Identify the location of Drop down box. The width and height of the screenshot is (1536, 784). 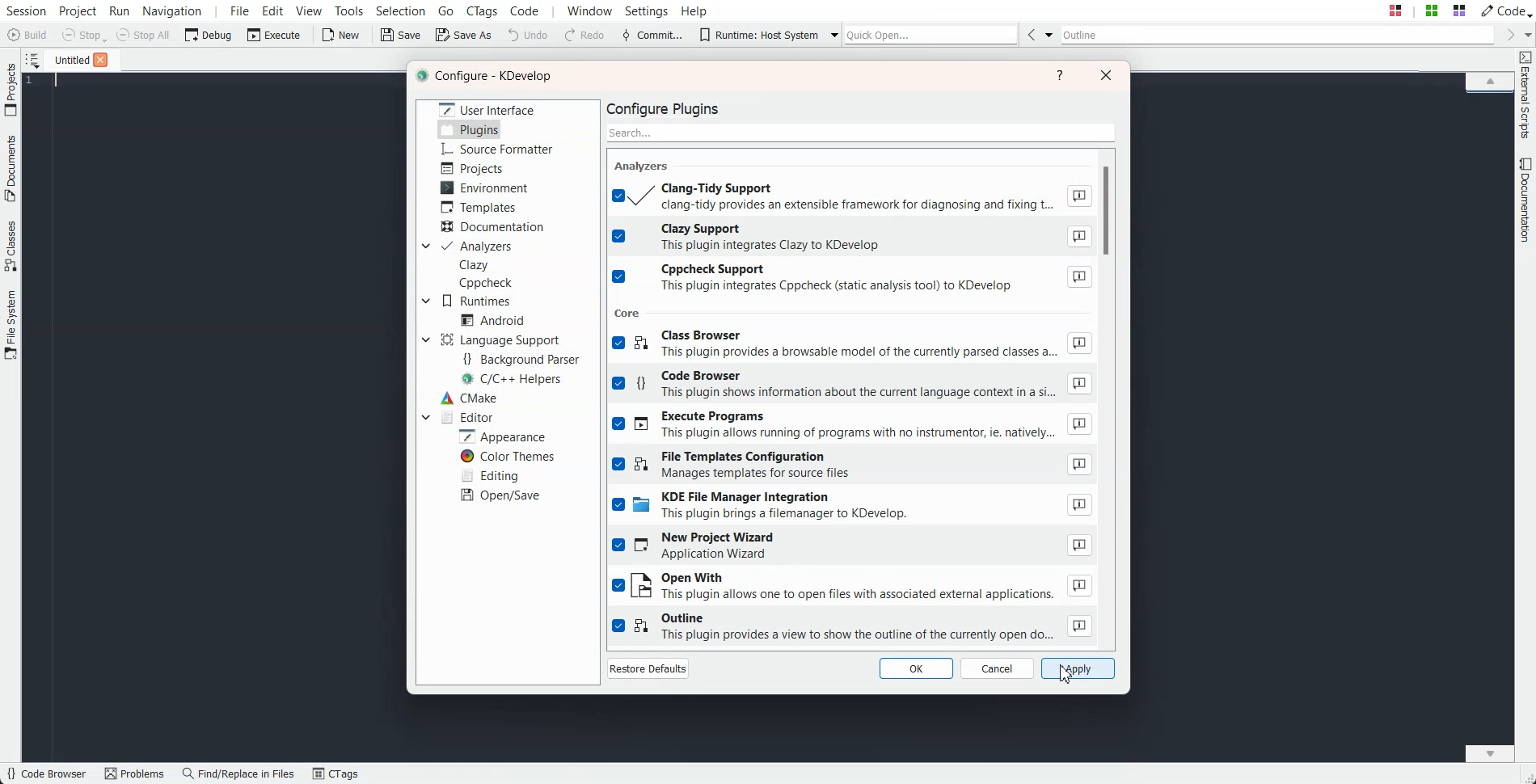
(425, 339).